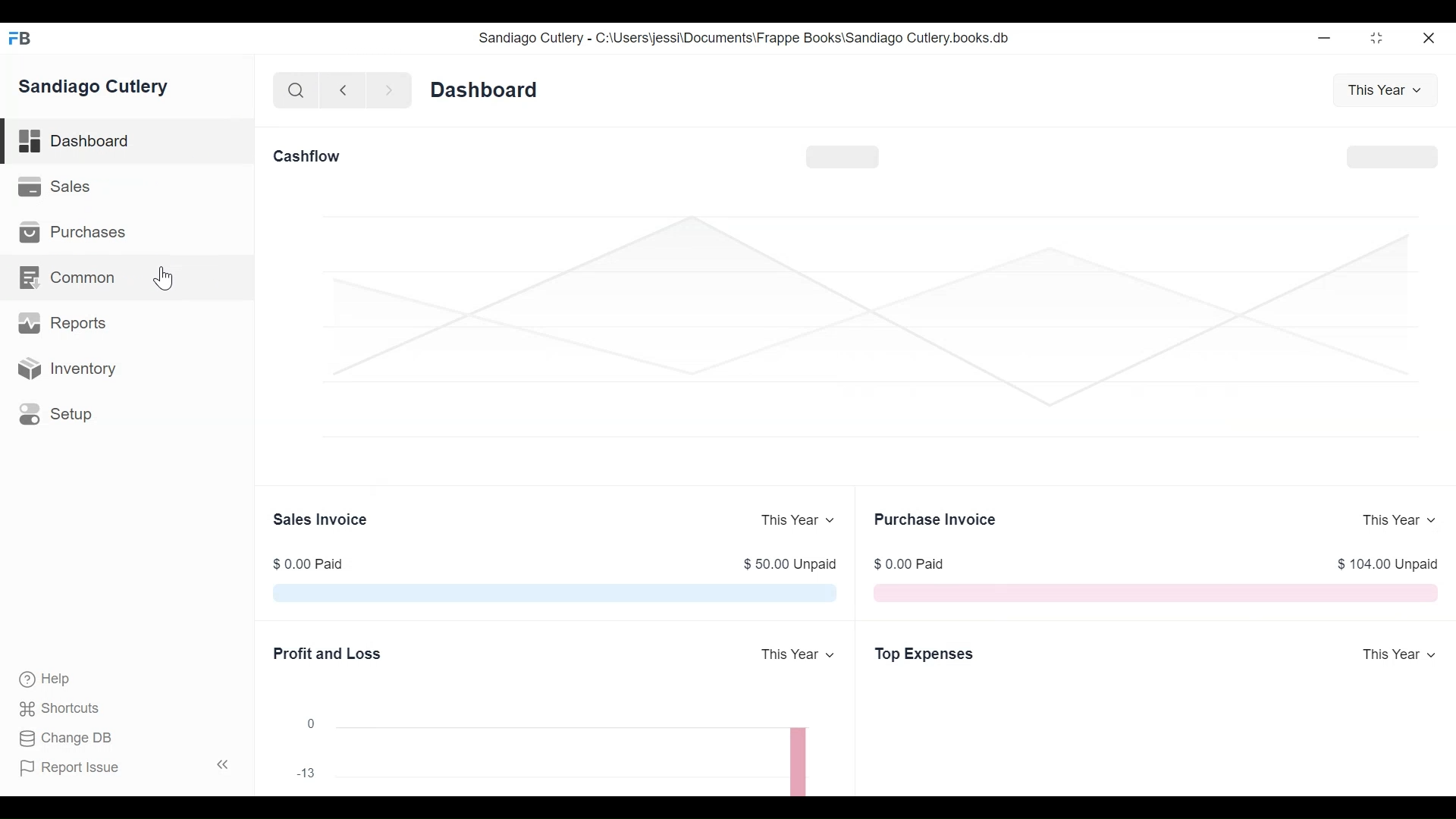 Image resolution: width=1456 pixels, height=819 pixels. Describe the element at coordinates (1398, 656) in the screenshot. I see `This Year` at that location.